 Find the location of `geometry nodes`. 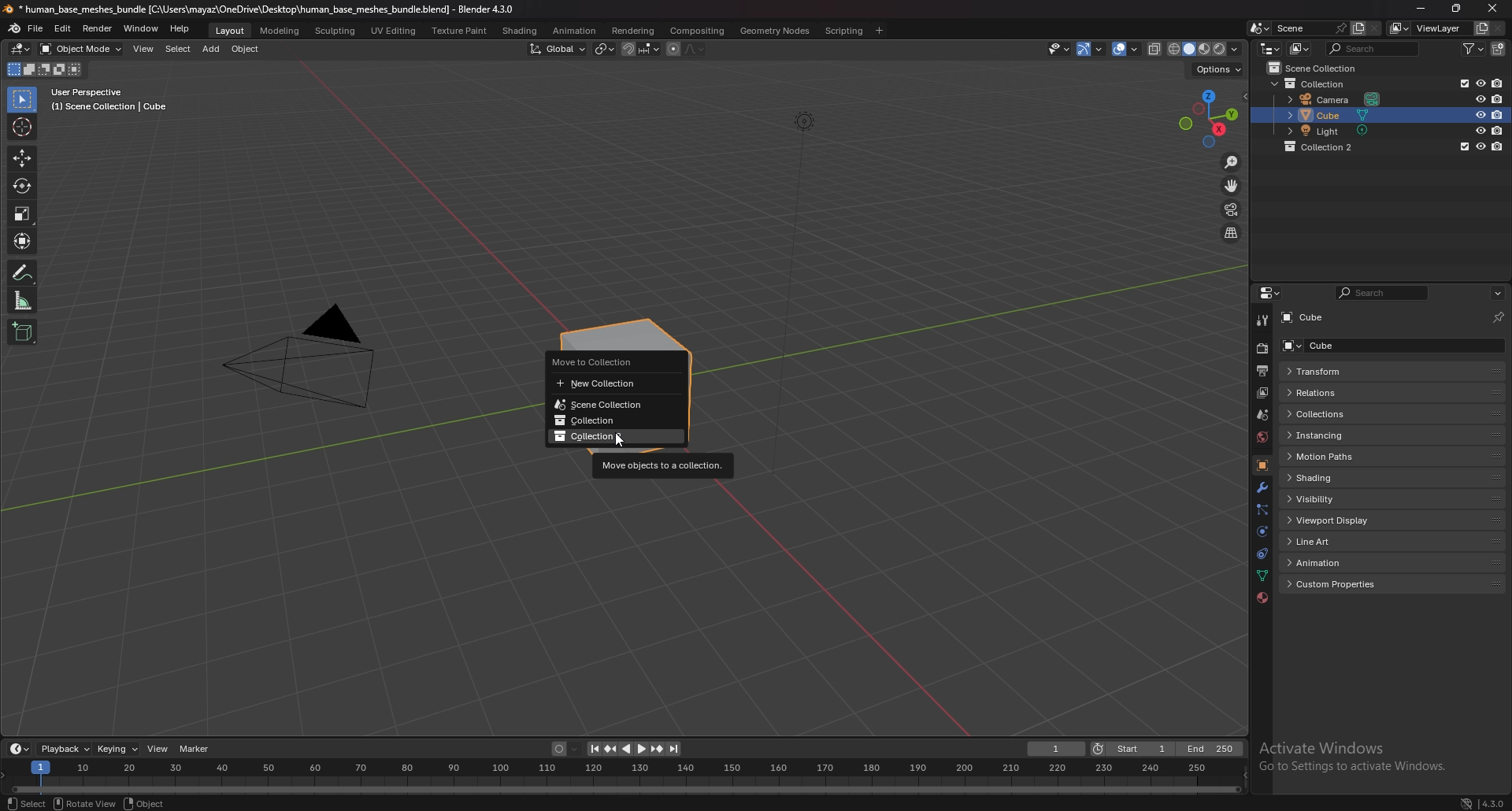

geometry nodes is located at coordinates (774, 31).